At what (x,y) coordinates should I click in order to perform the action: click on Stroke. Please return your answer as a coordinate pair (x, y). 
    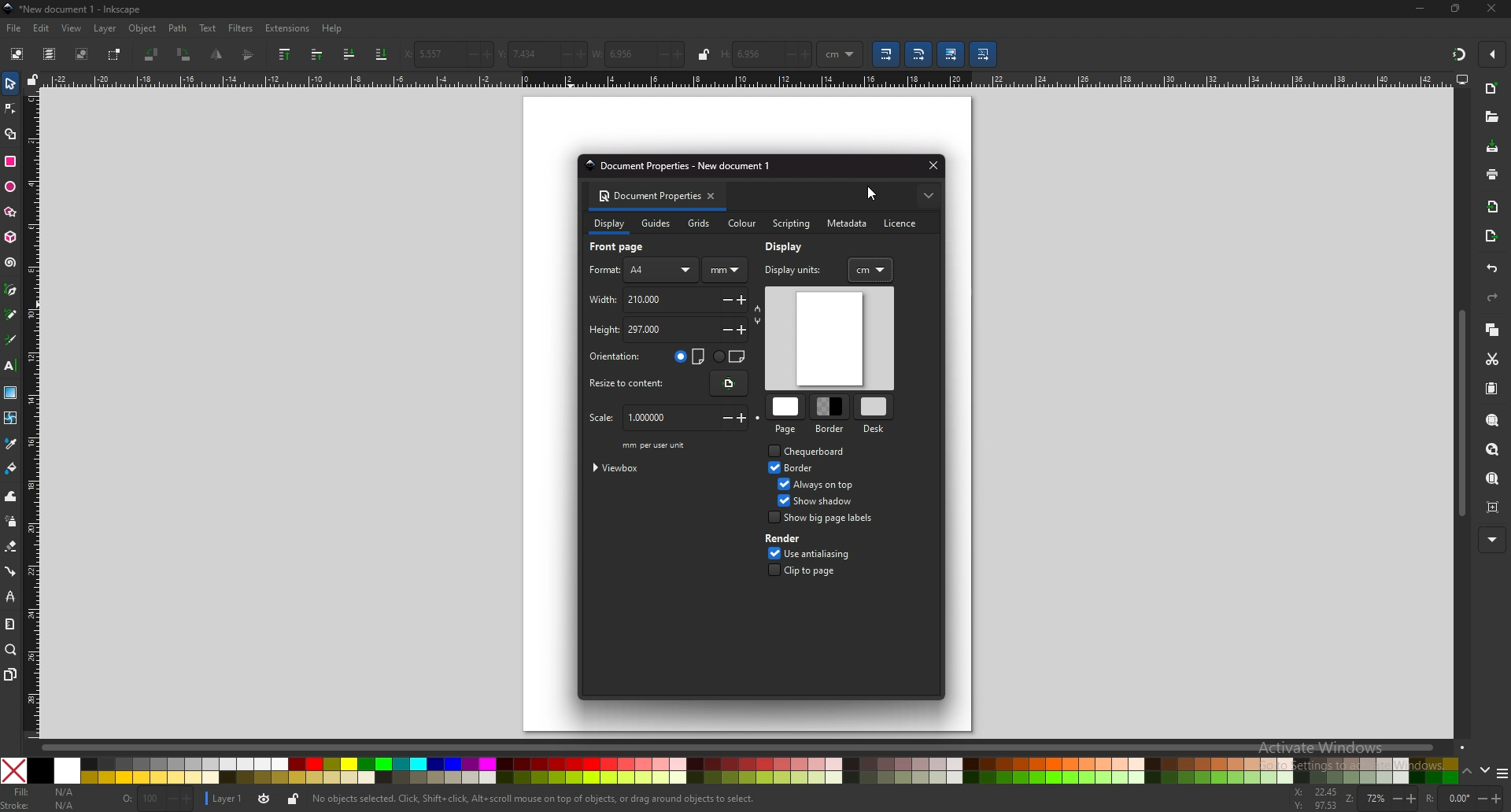
    Looking at the image, I should click on (41, 806).